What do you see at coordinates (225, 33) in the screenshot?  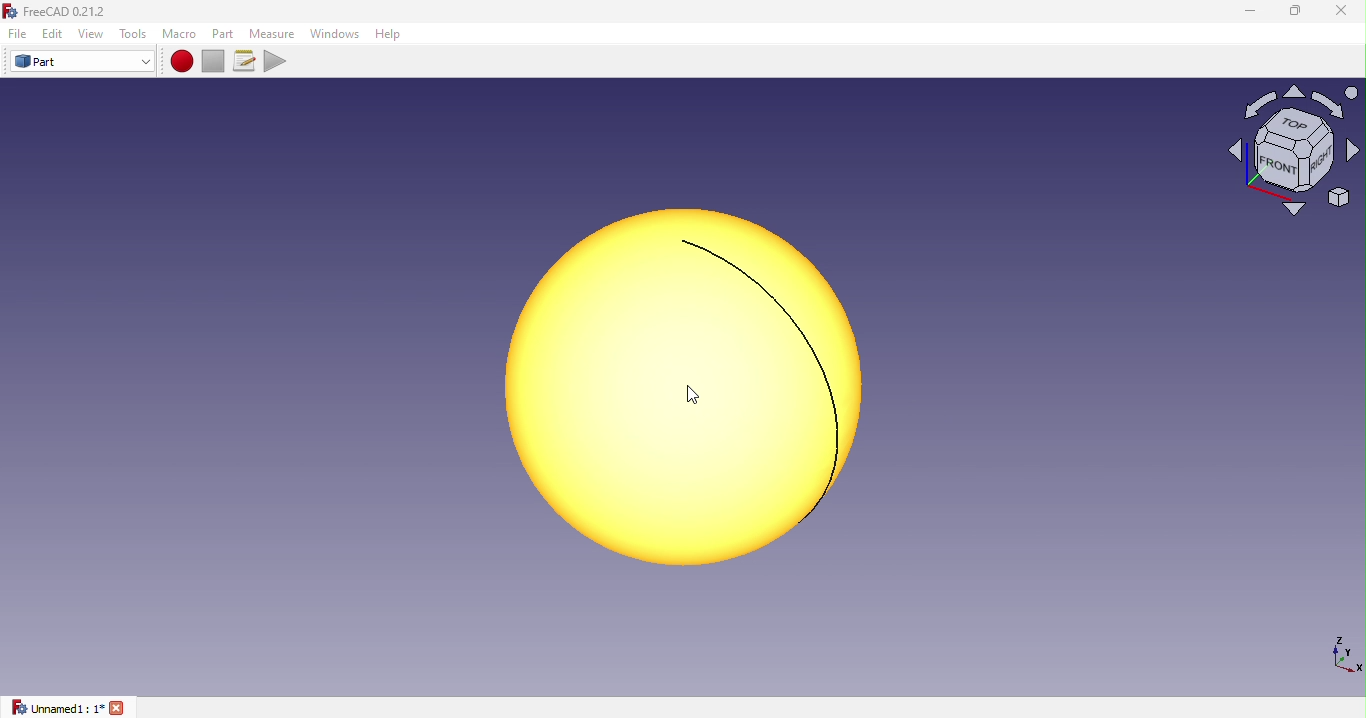 I see `Part` at bounding box center [225, 33].